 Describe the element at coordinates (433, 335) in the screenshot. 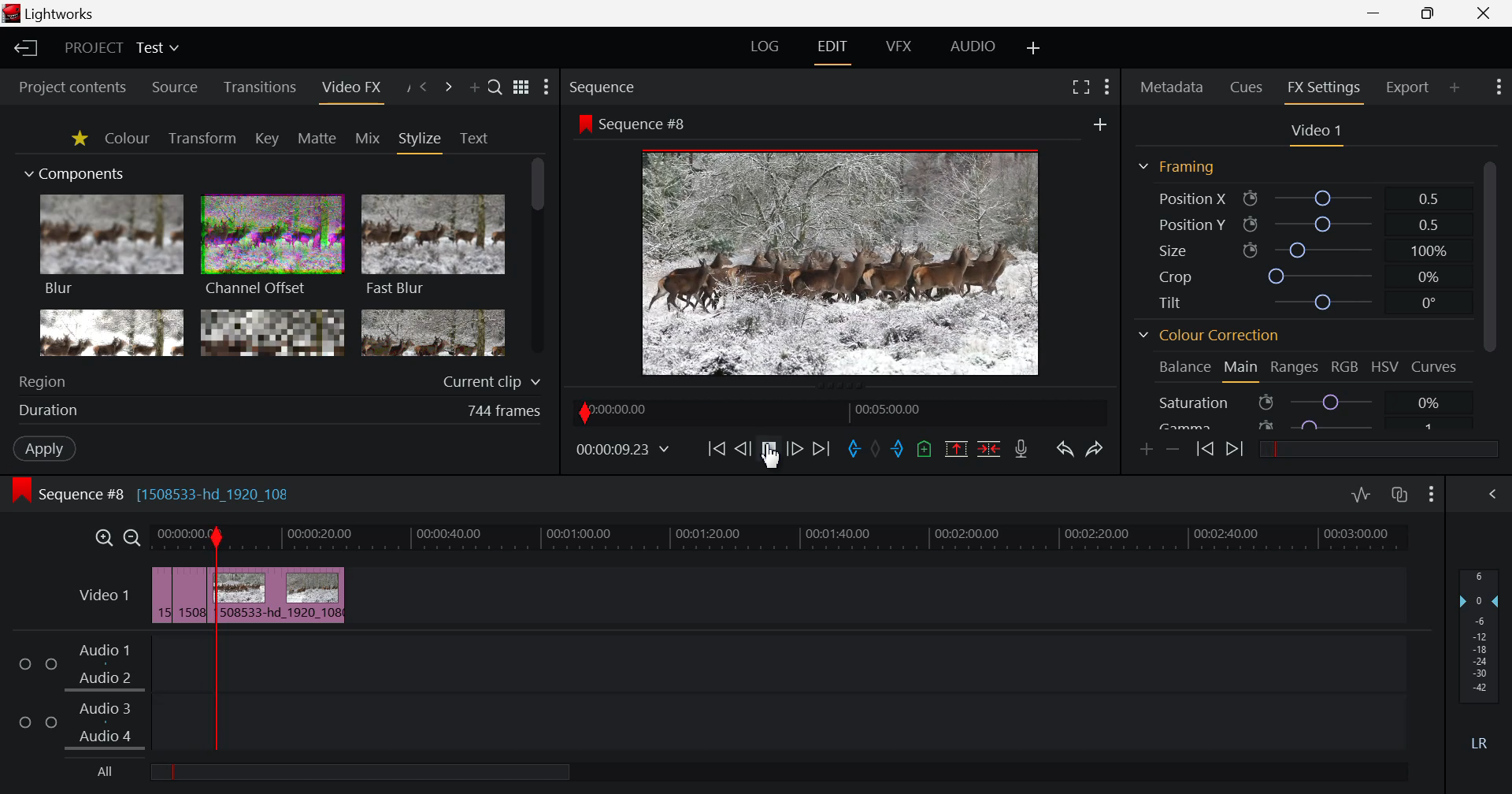

I see `Posterize` at that location.